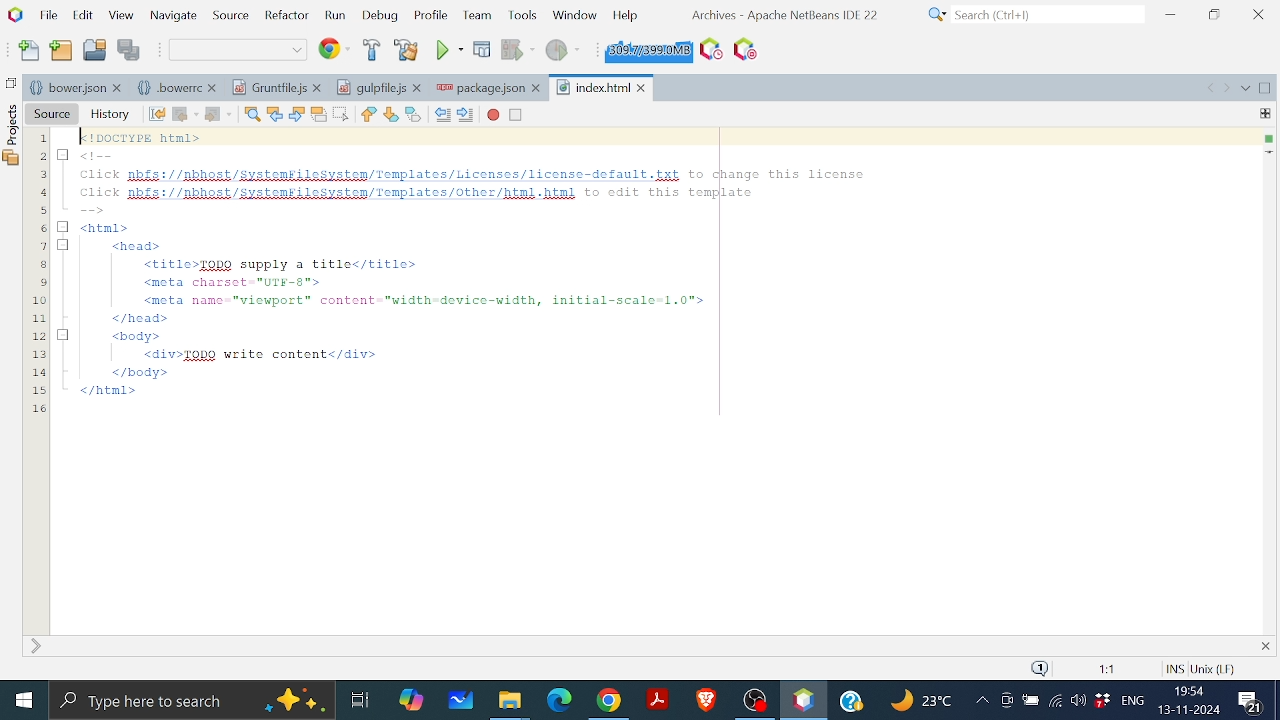 The width and height of the screenshot is (1280, 720). Describe the element at coordinates (412, 115) in the screenshot. I see `Toggle bookmark` at that location.